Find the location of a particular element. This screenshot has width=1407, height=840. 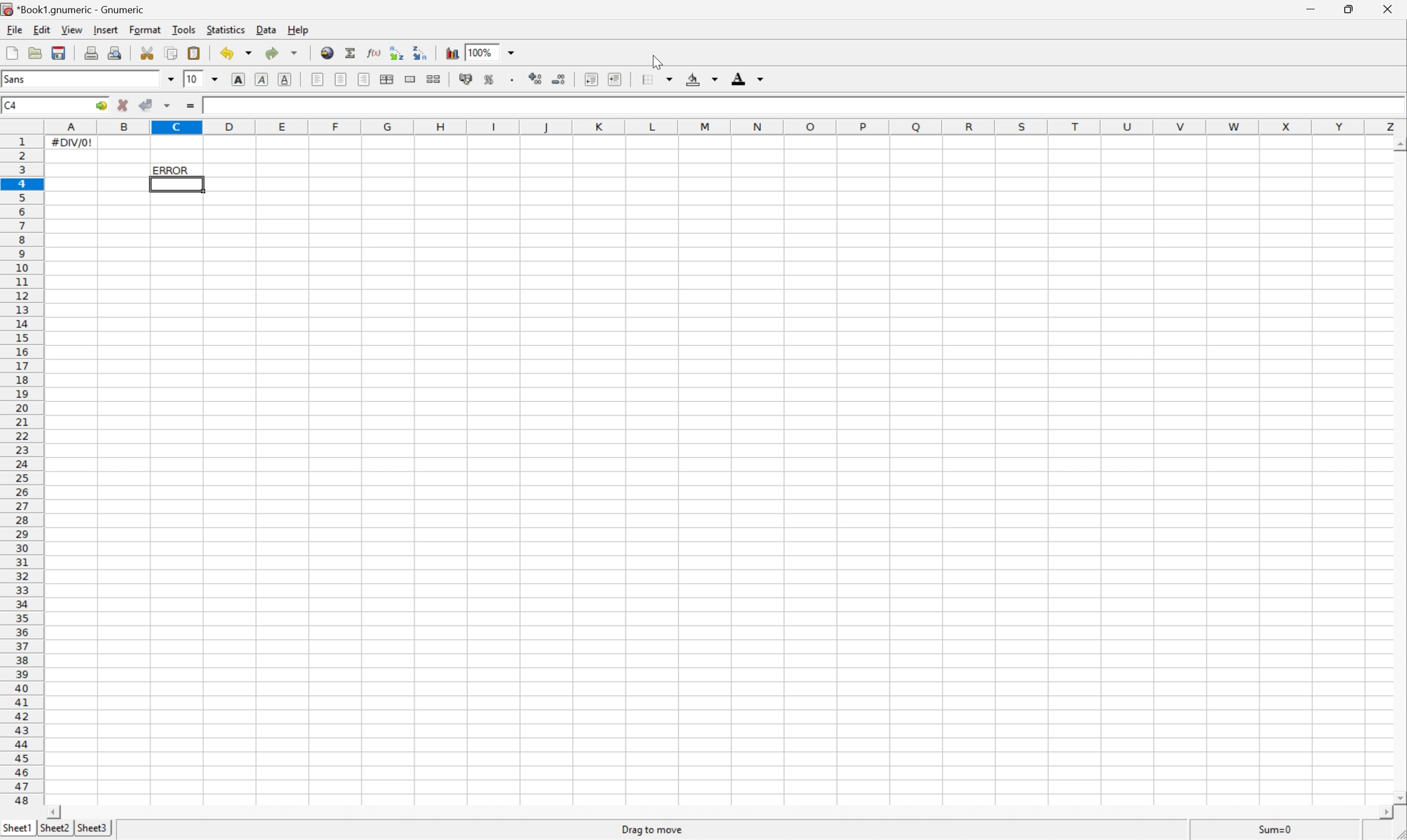

Drop down is located at coordinates (297, 53).